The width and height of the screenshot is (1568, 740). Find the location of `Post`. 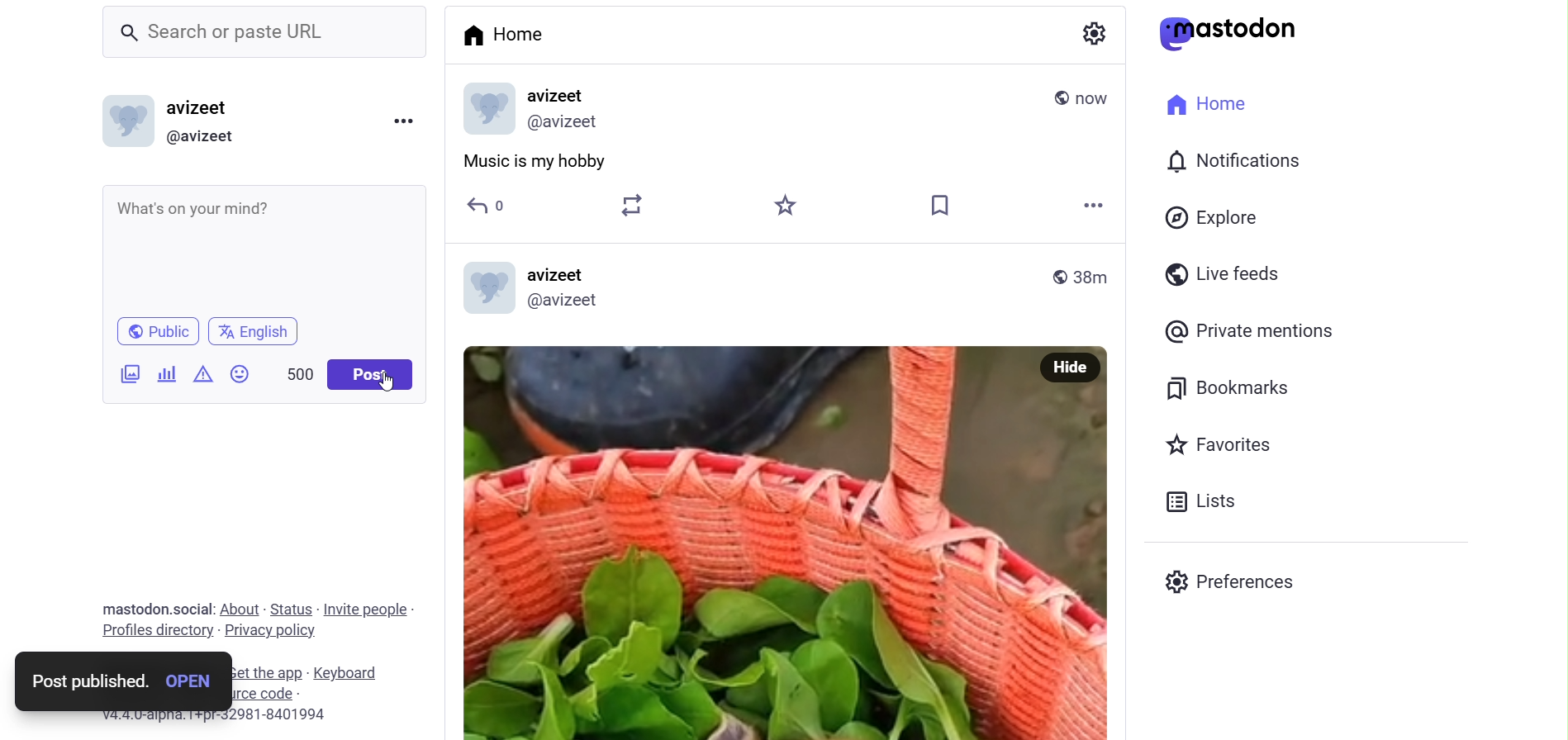

Post is located at coordinates (369, 374).